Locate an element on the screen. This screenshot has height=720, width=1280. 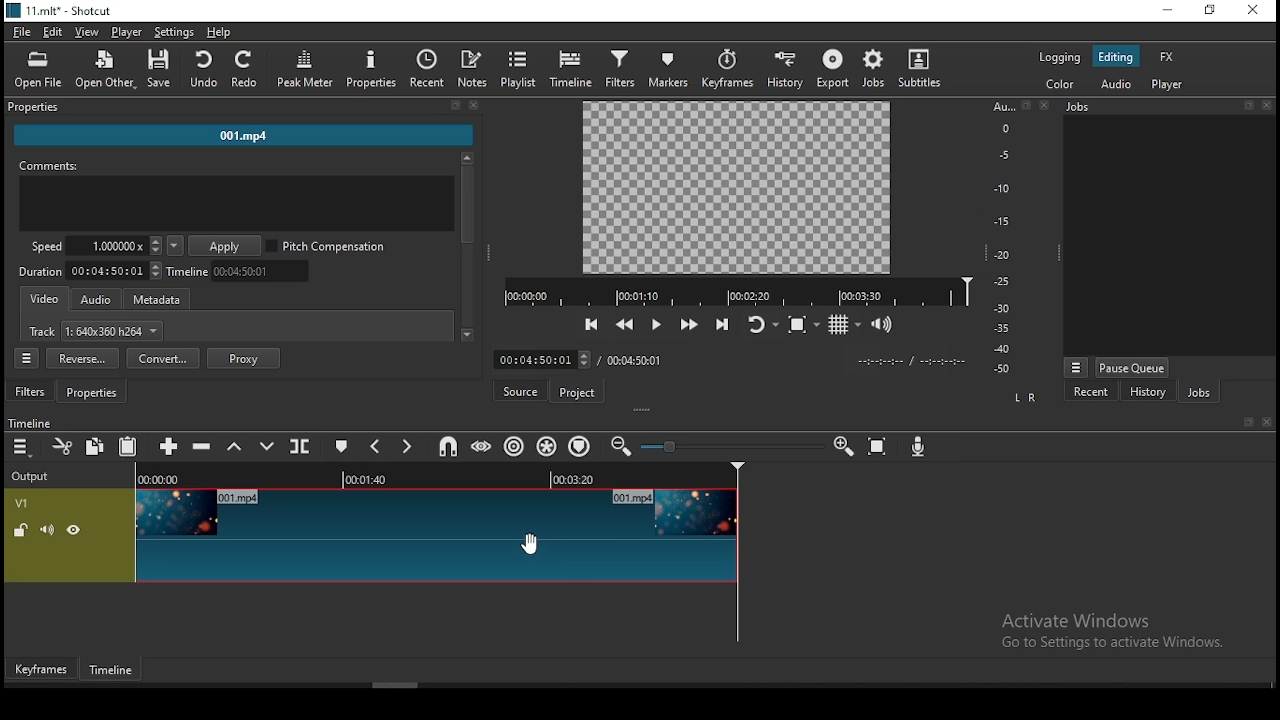
track duration is located at coordinates (91, 272).